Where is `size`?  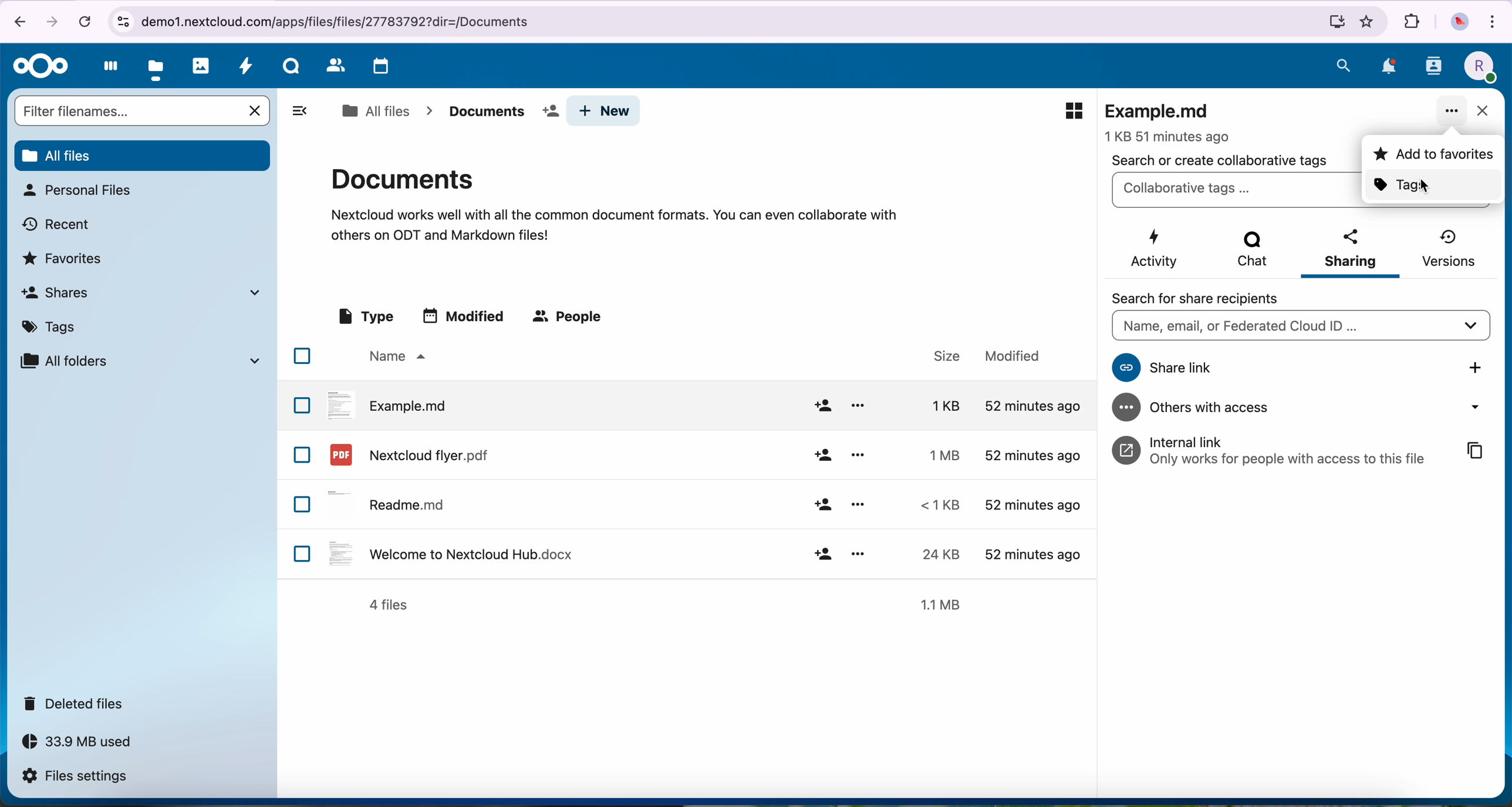 size is located at coordinates (939, 454).